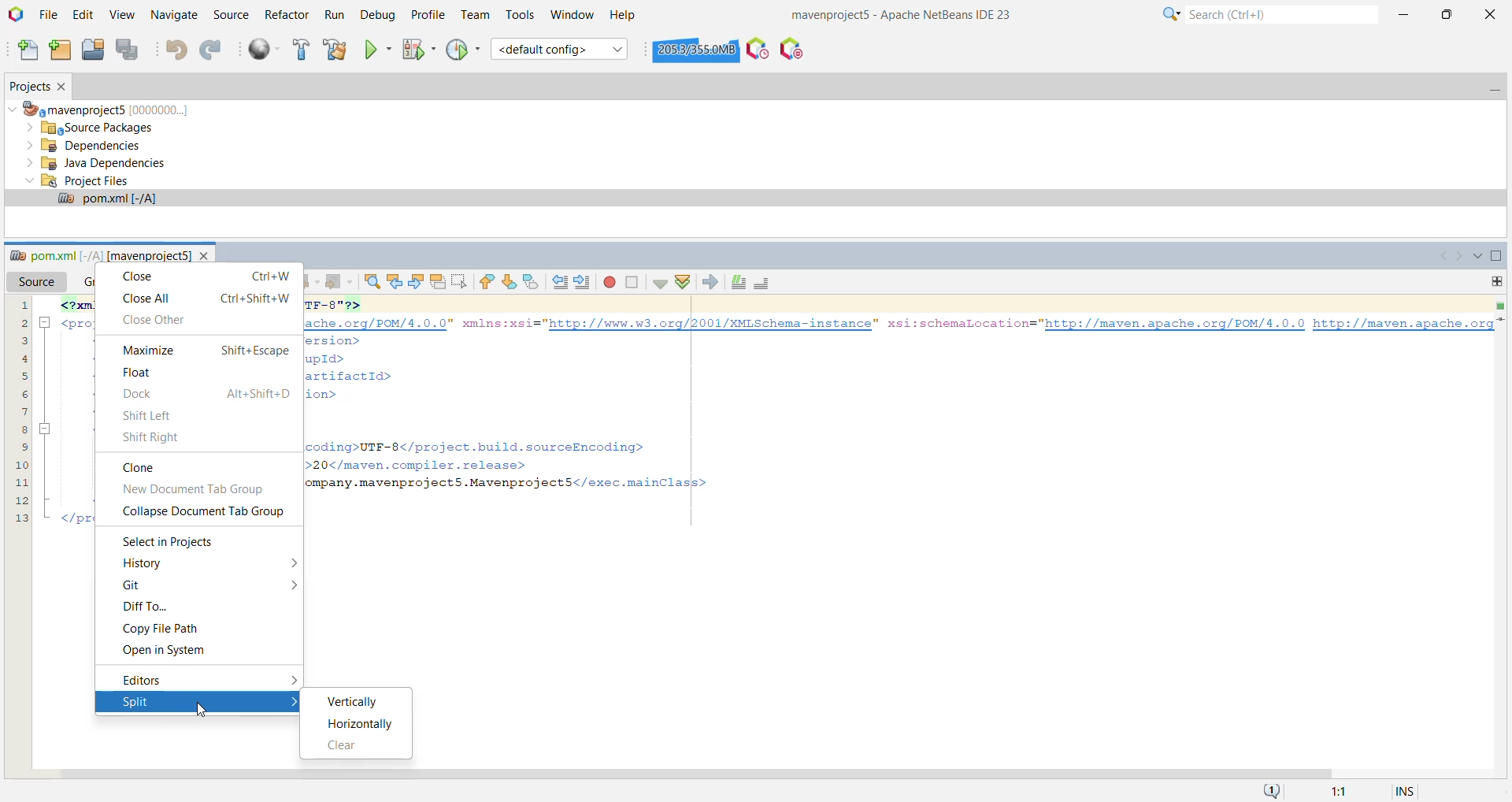 The width and height of the screenshot is (1512, 802). Describe the element at coordinates (21, 428) in the screenshot. I see `8` at that location.